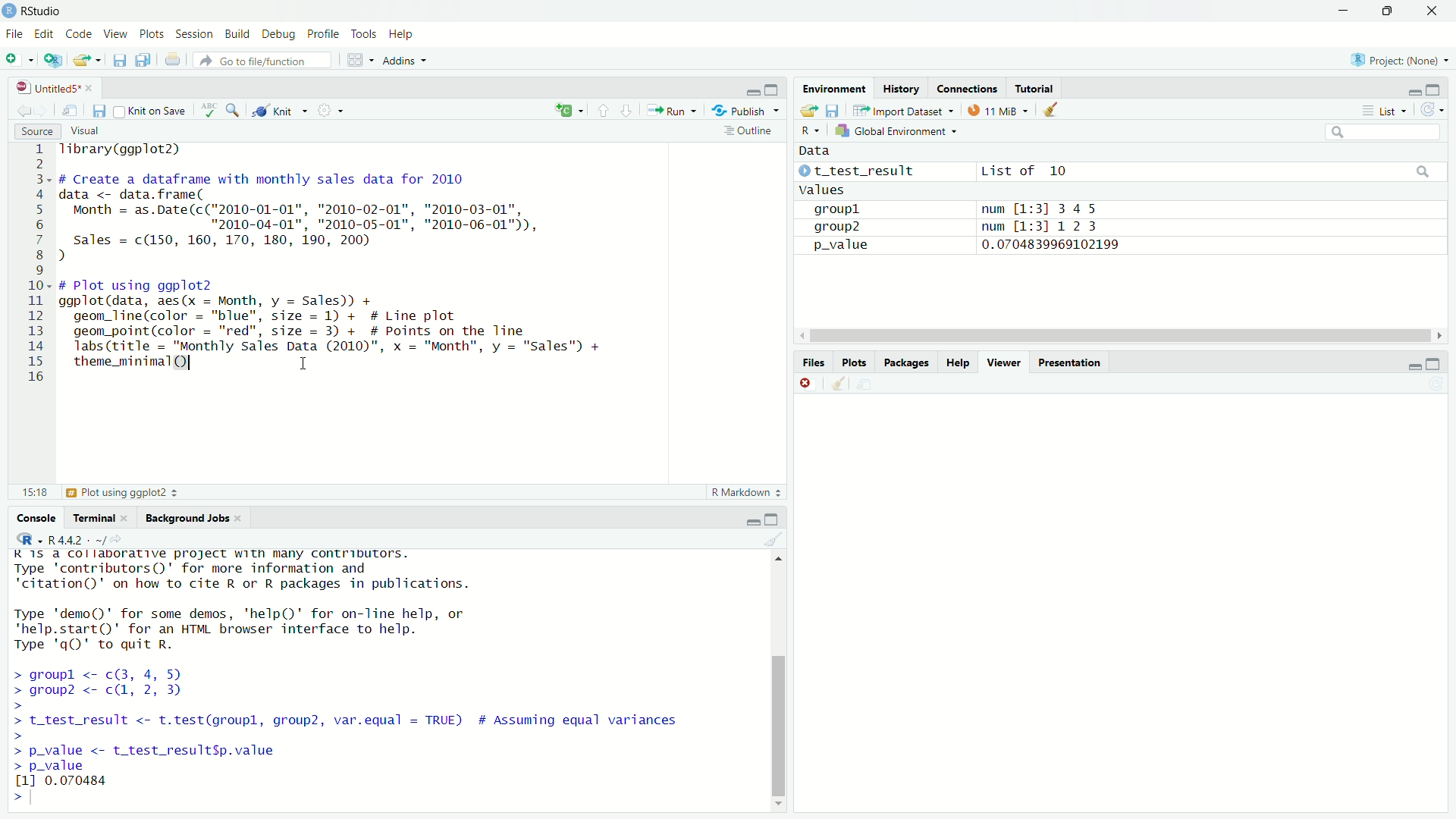 The height and width of the screenshot is (819, 1456). Describe the element at coordinates (853, 362) in the screenshot. I see `les Plots` at that location.